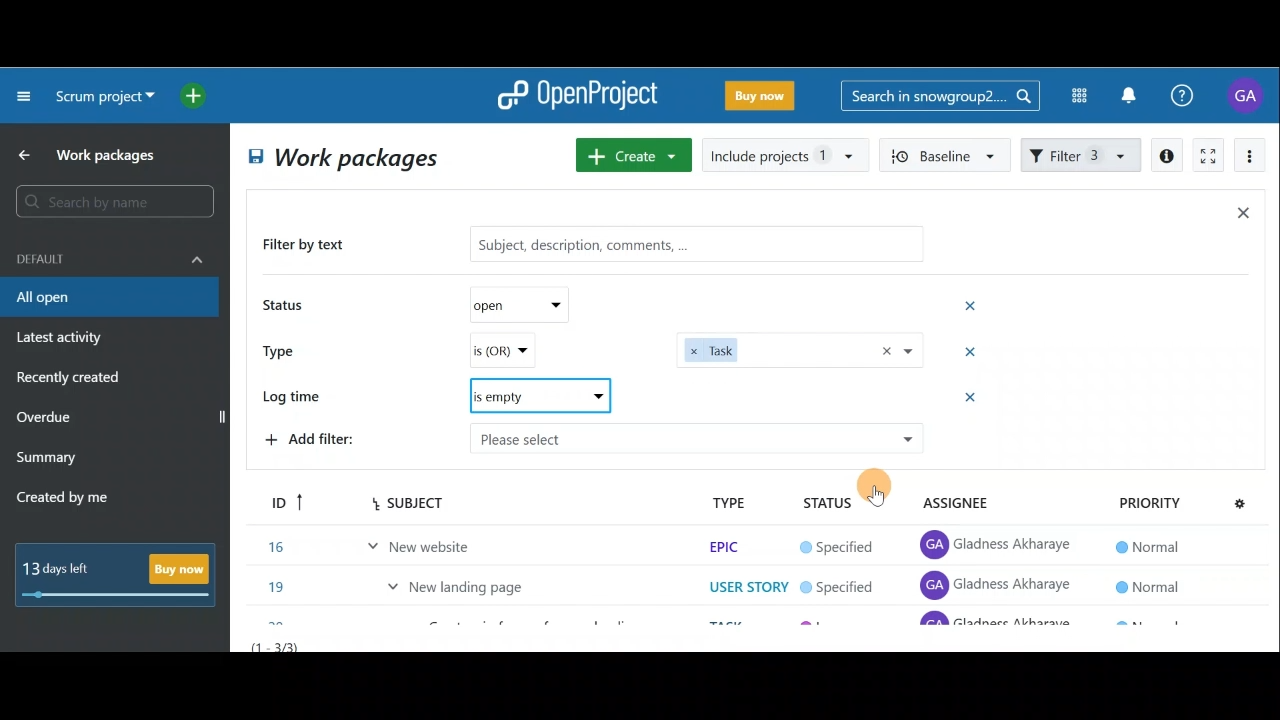  I want to click on epic, so click(722, 501).